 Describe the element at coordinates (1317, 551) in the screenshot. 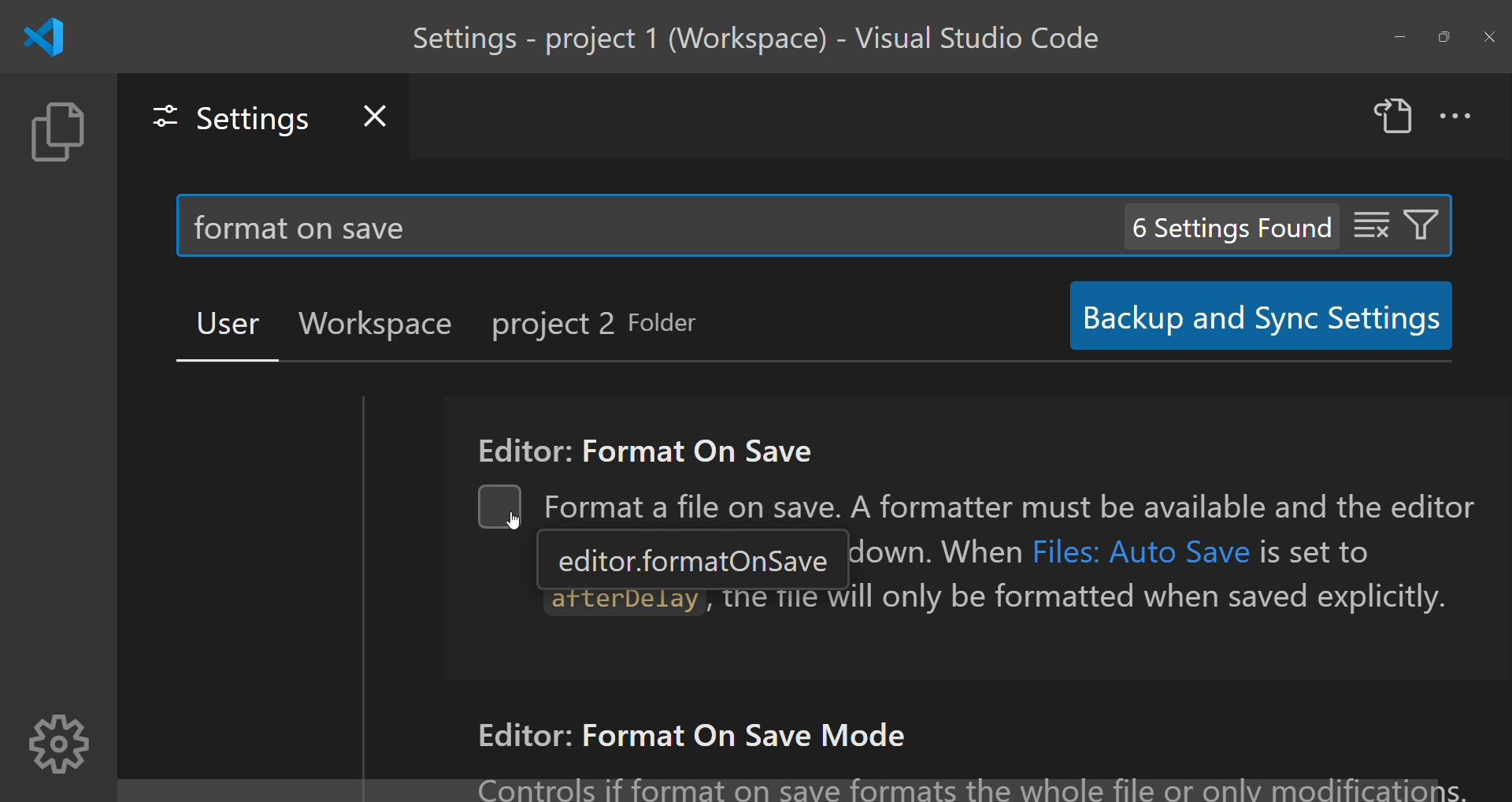

I see `is set to` at that location.